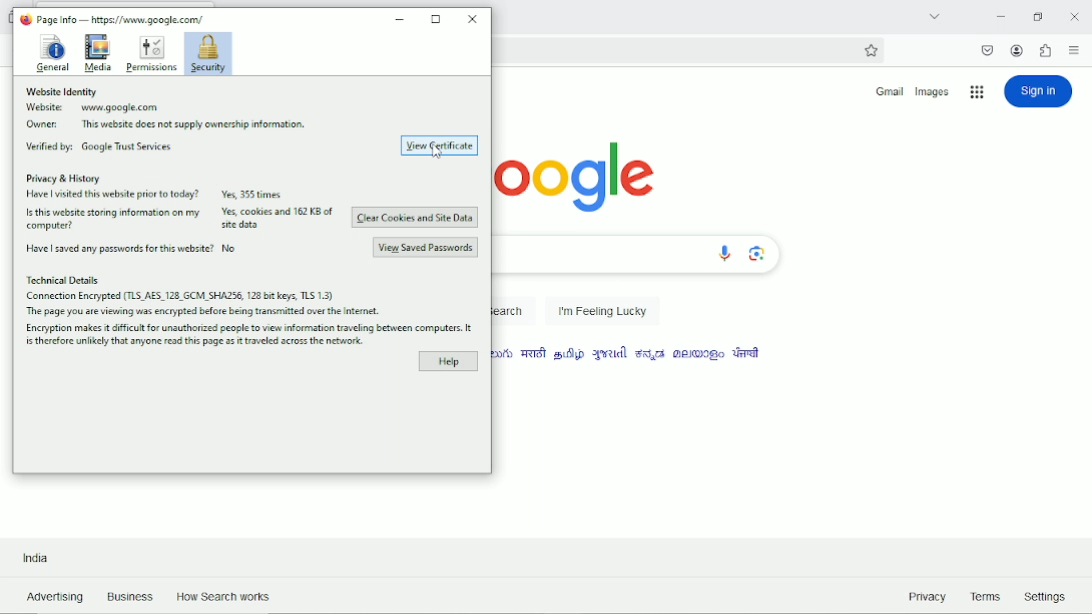  What do you see at coordinates (98, 53) in the screenshot?
I see `Media` at bounding box center [98, 53].